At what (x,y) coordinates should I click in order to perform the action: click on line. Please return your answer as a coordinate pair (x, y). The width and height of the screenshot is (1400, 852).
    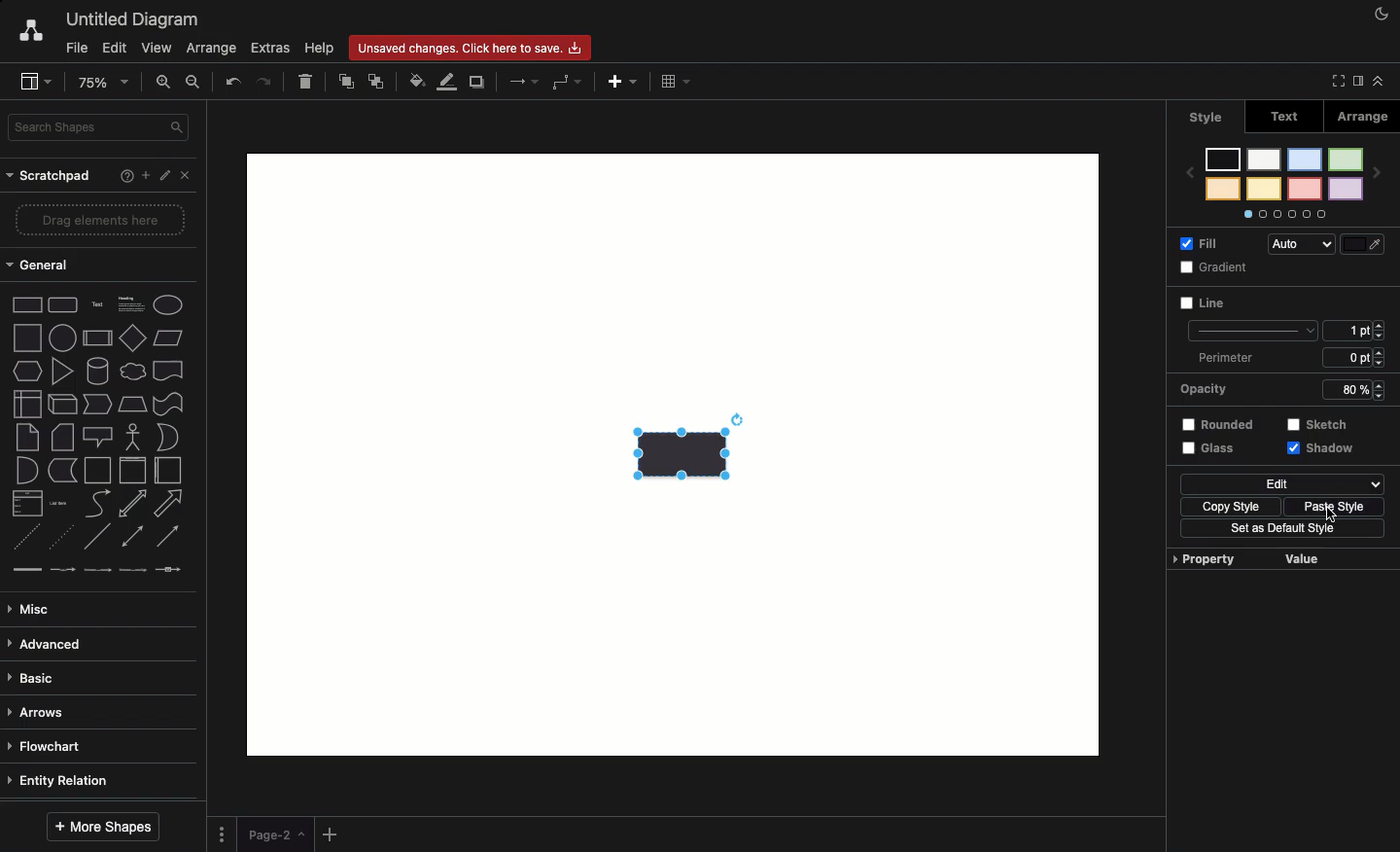
    Looking at the image, I should click on (96, 538).